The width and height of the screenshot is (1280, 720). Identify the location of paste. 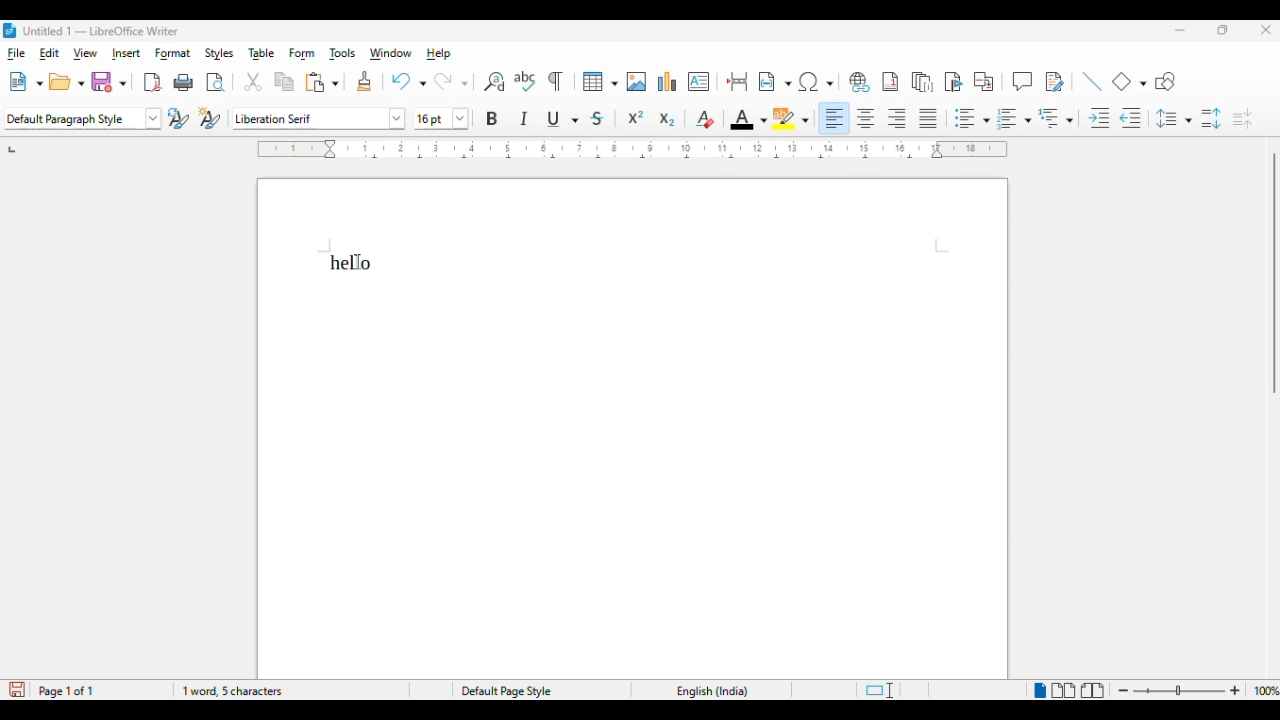
(322, 82).